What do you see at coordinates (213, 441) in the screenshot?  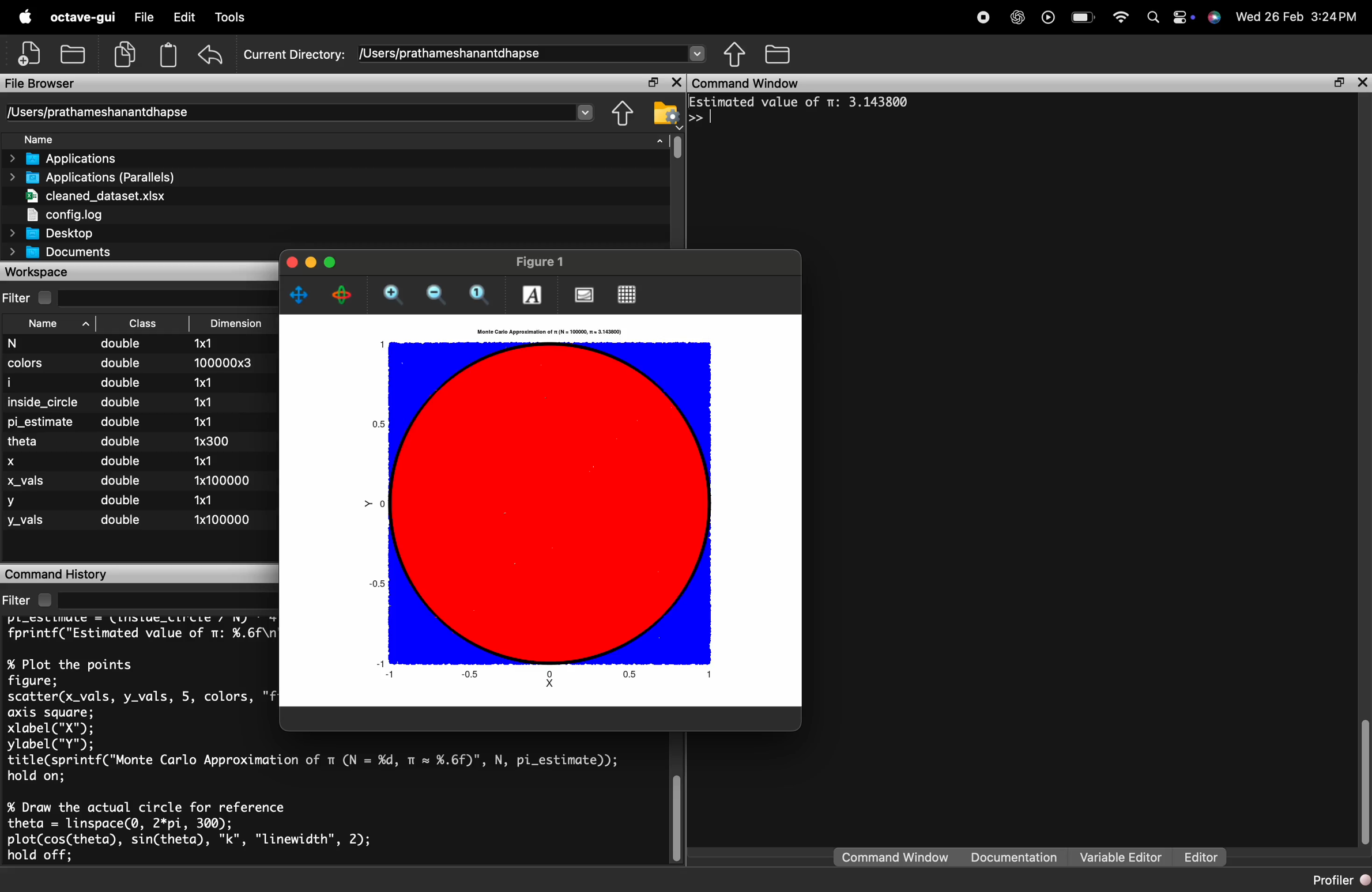 I see `1x300` at bounding box center [213, 441].